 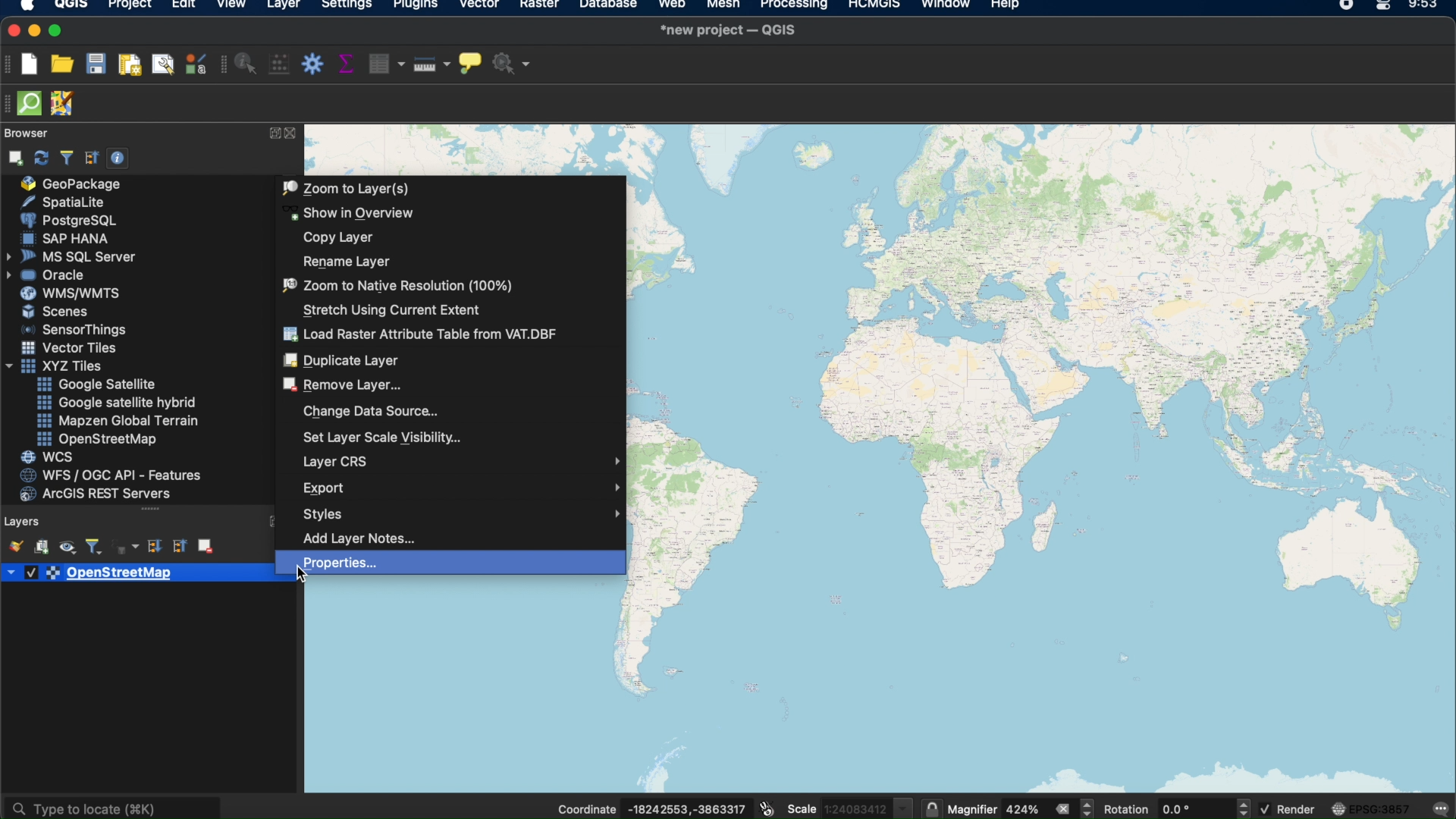 What do you see at coordinates (466, 690) in the screenshot?
I see `background` at bounding box center [466, 690].